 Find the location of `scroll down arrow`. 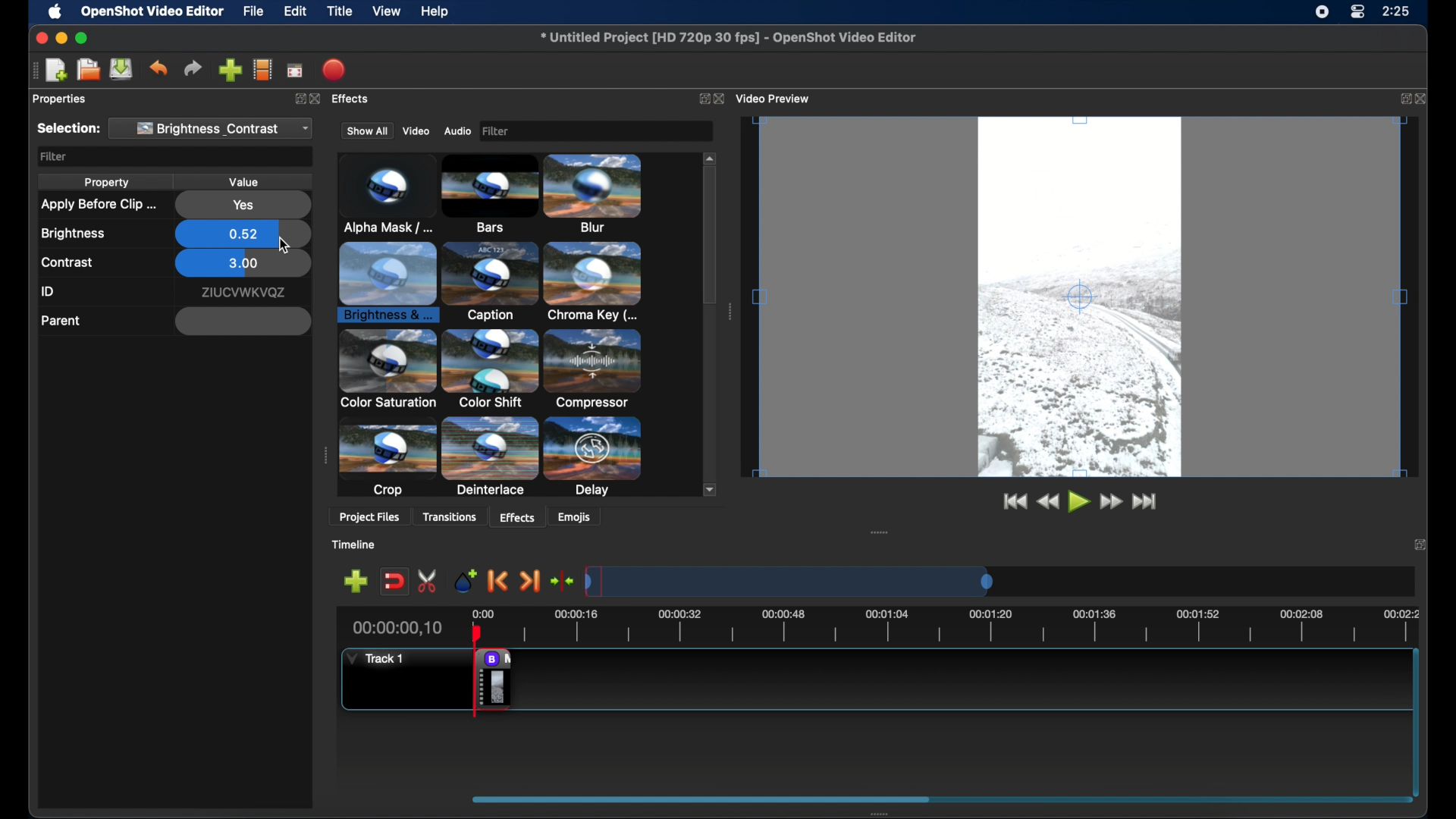

scroll down arrow is located at coordinates (706, 488).